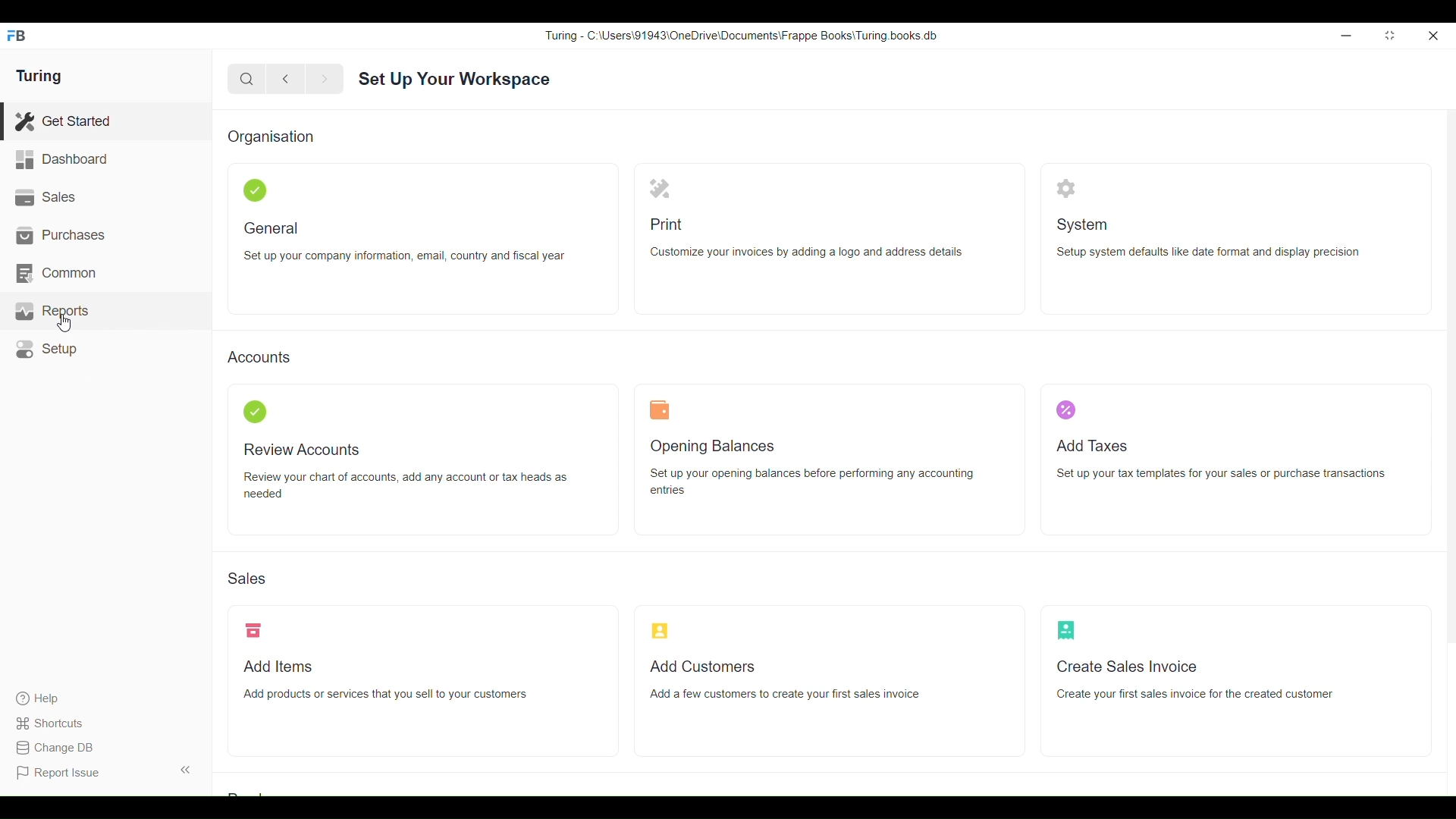 The height and width of the screenshot is (819, 1456). I want to click on Opening Balances icon, so click(660, 409).